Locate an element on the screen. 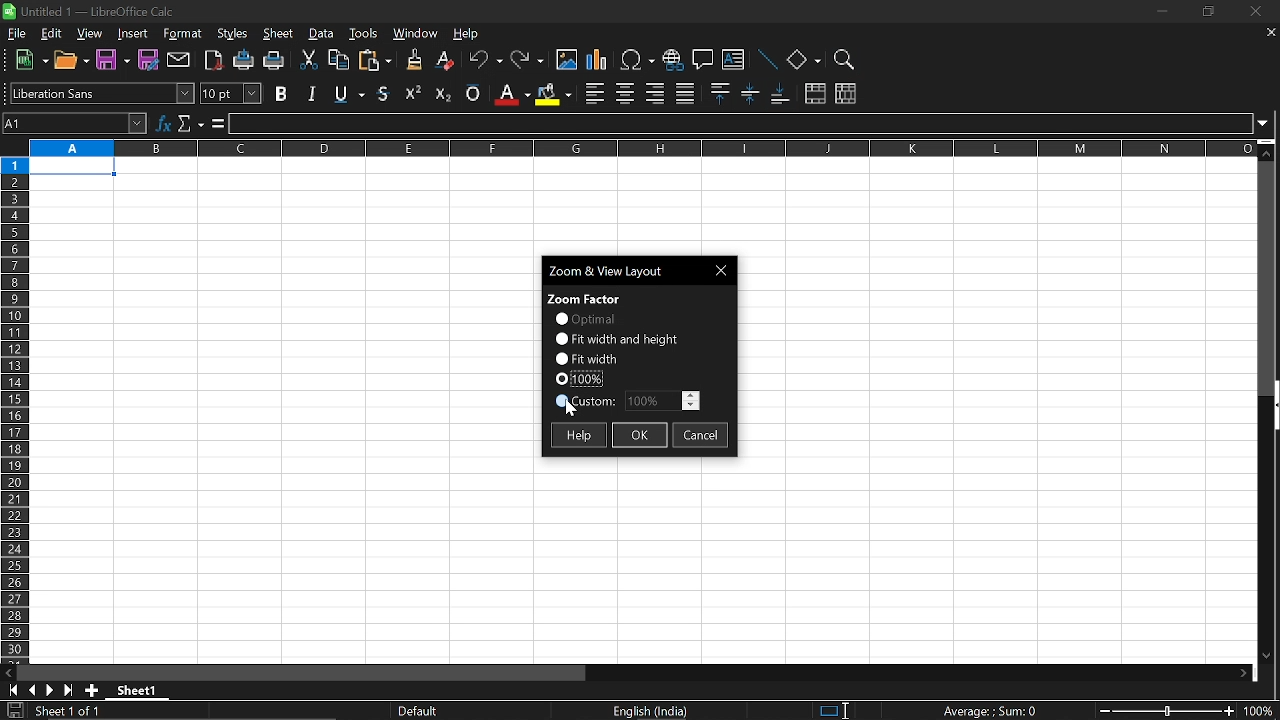 The width and height of the screenshot is (1280, 720). optional is located at coordinates (584, 319).